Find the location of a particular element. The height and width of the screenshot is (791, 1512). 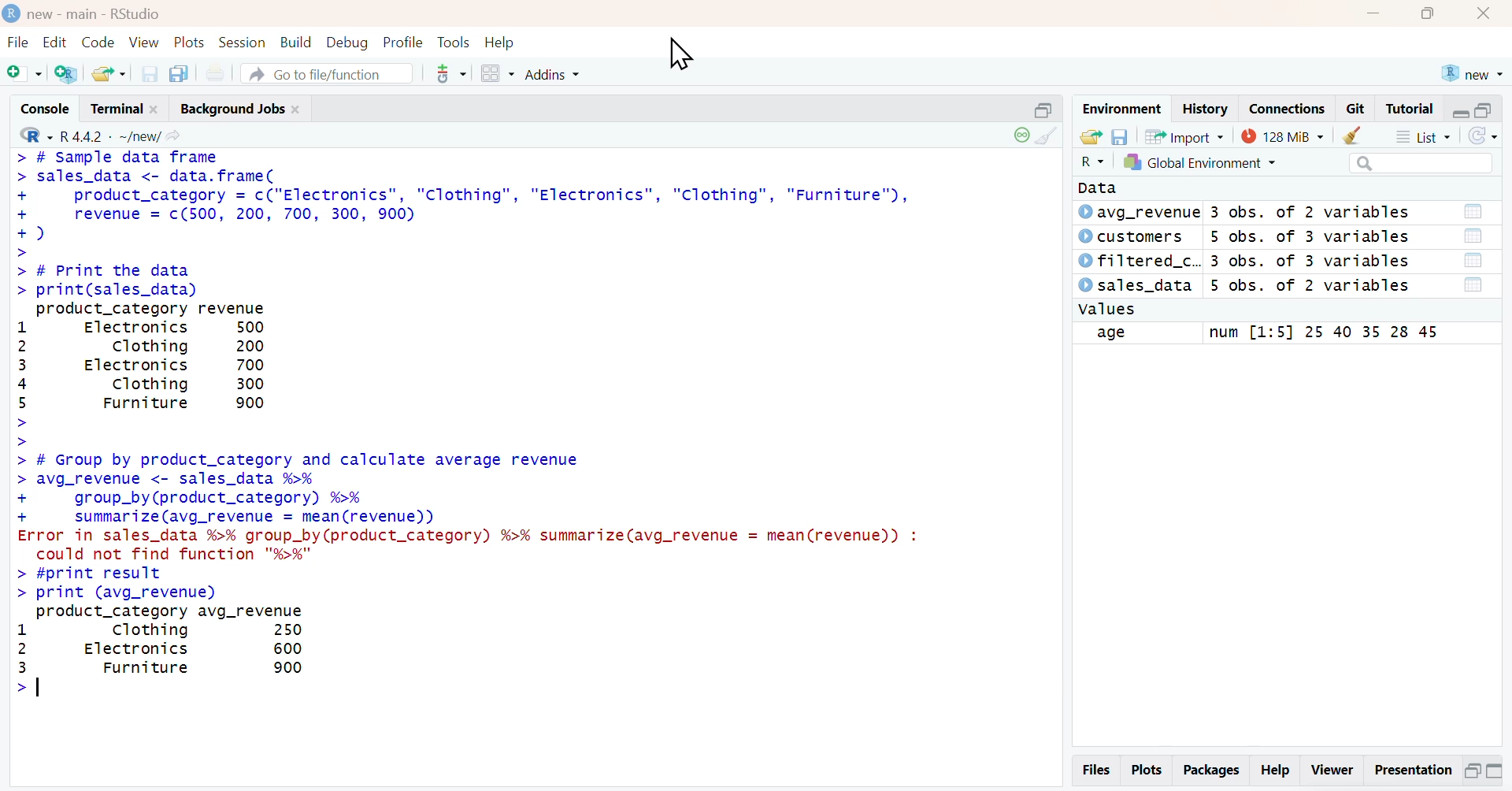

View is located at coordinates (145, 43).